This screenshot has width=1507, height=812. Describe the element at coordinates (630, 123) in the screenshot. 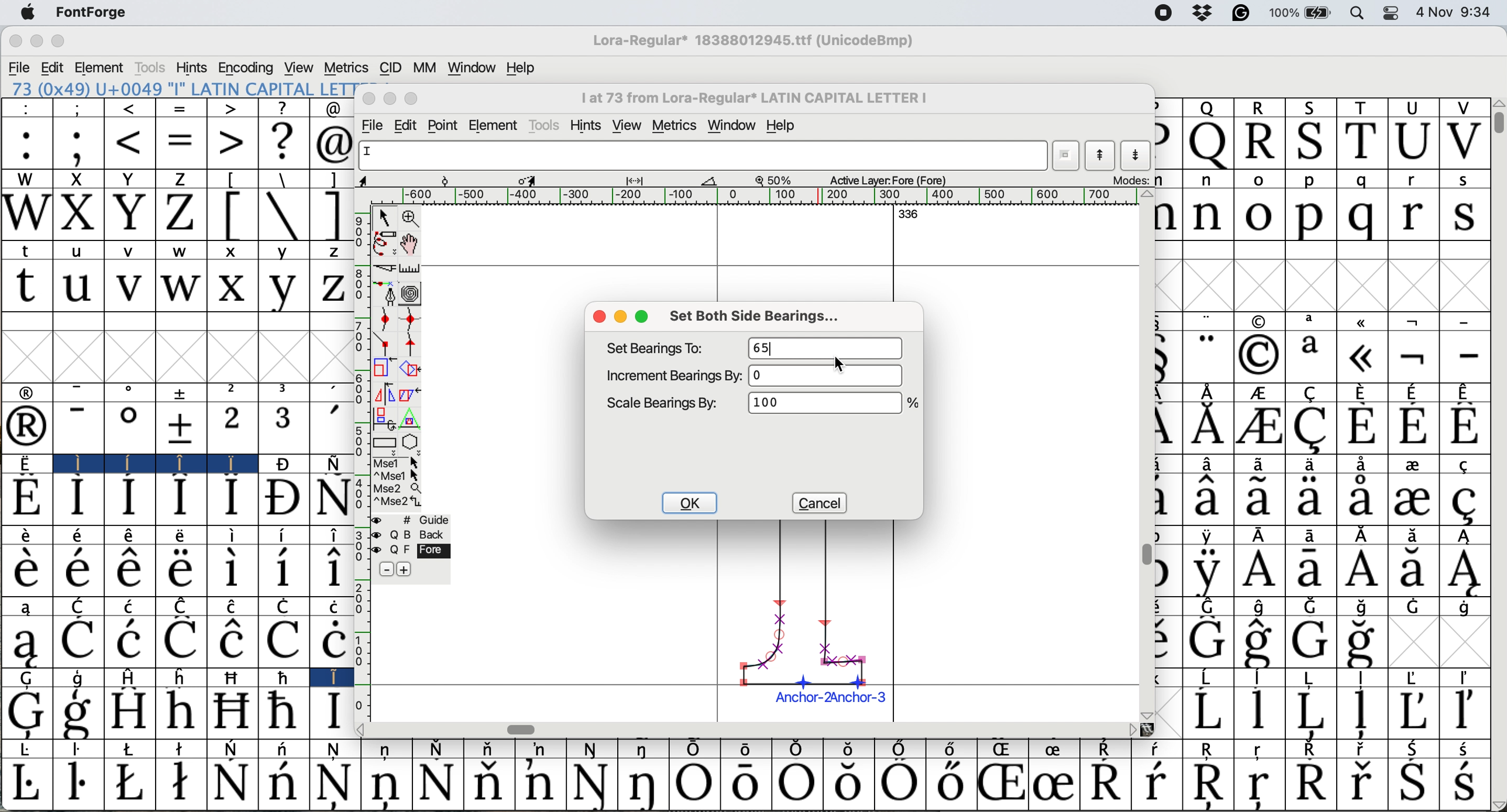

I see `view` at that location.